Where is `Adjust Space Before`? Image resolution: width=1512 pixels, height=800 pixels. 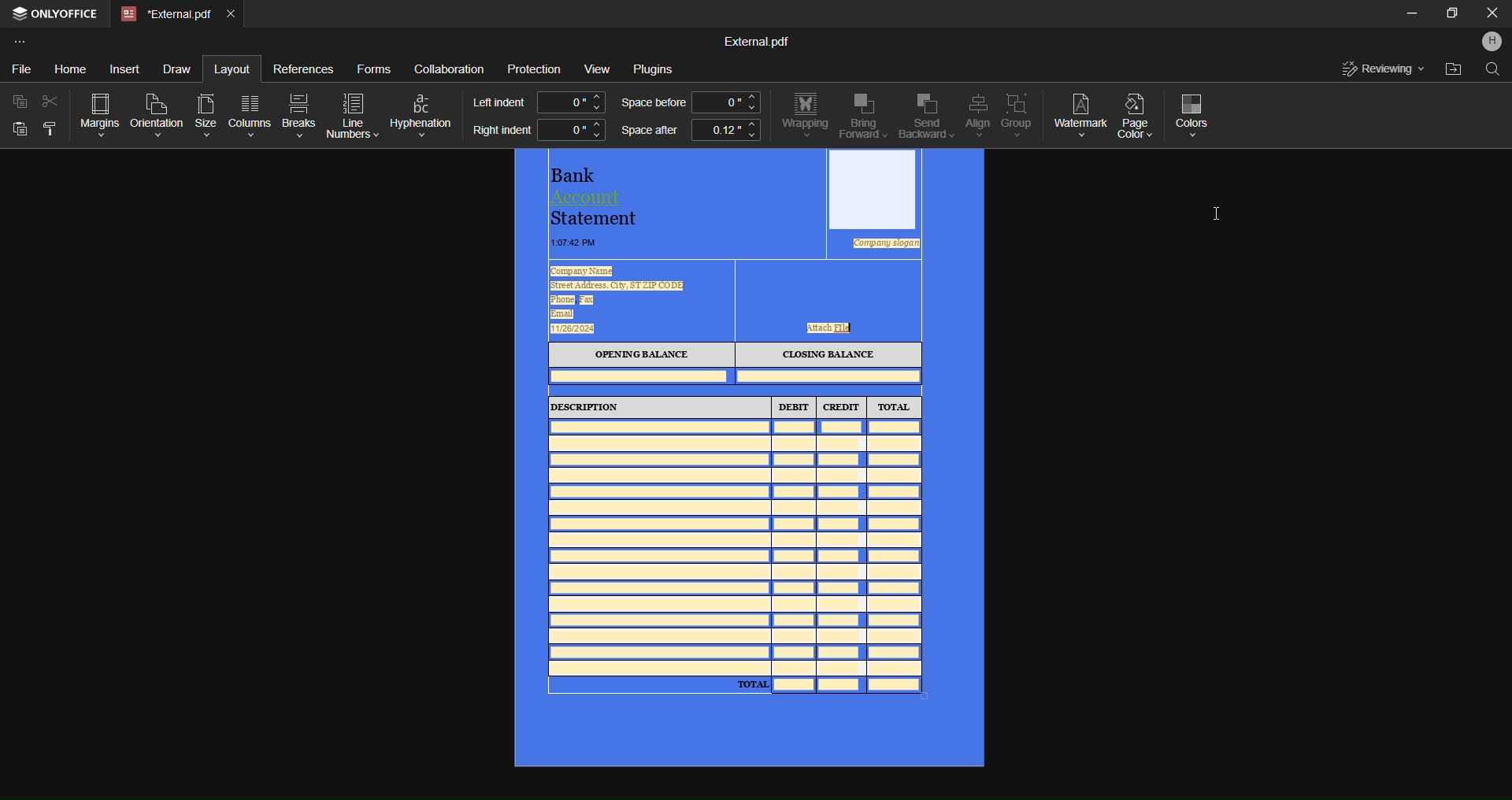 Adjust Space Before is located at coordinates (724, 102).